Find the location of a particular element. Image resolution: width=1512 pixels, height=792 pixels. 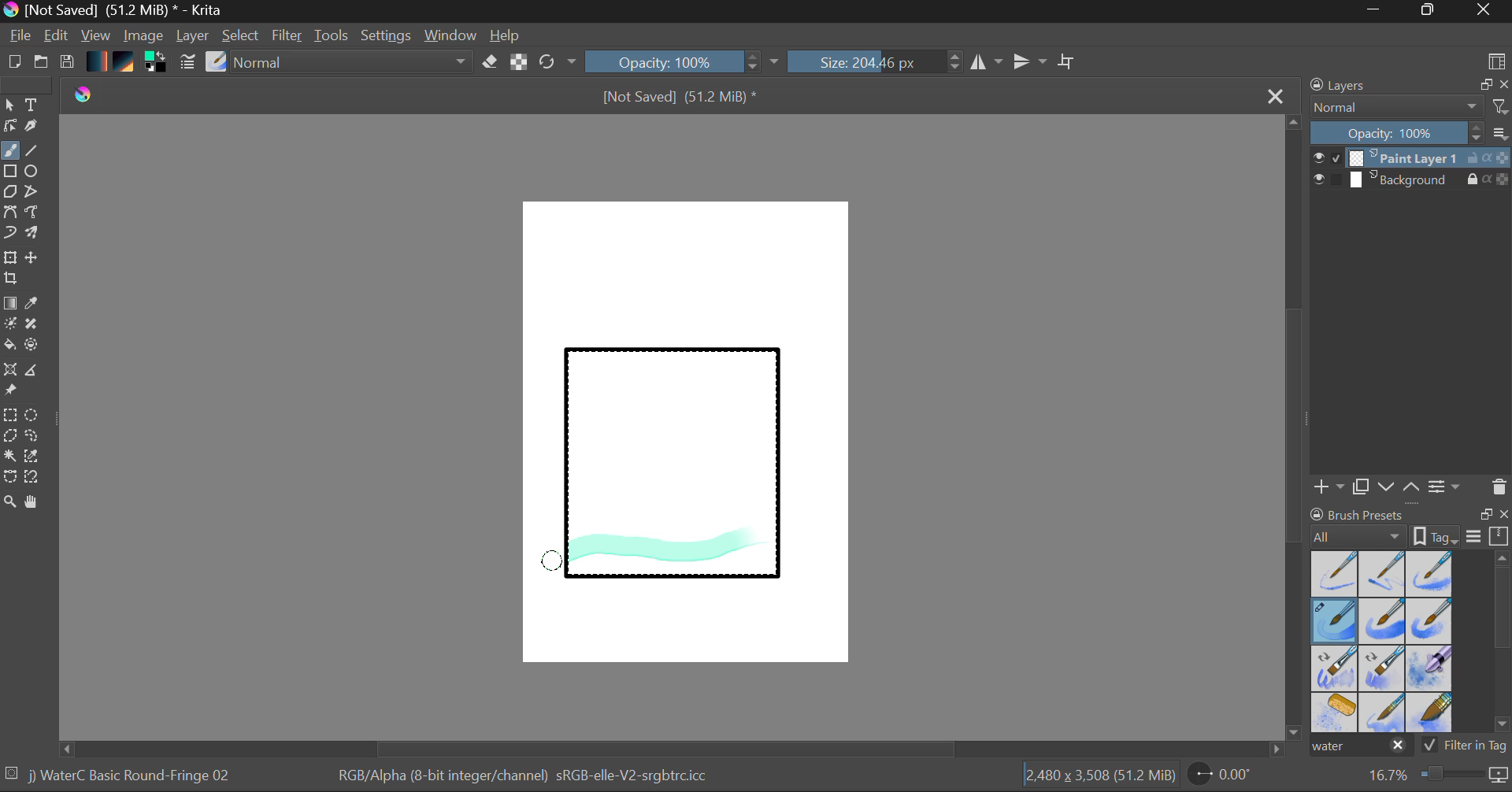

Water C - Grunge is located at coordinates (1430, 621).